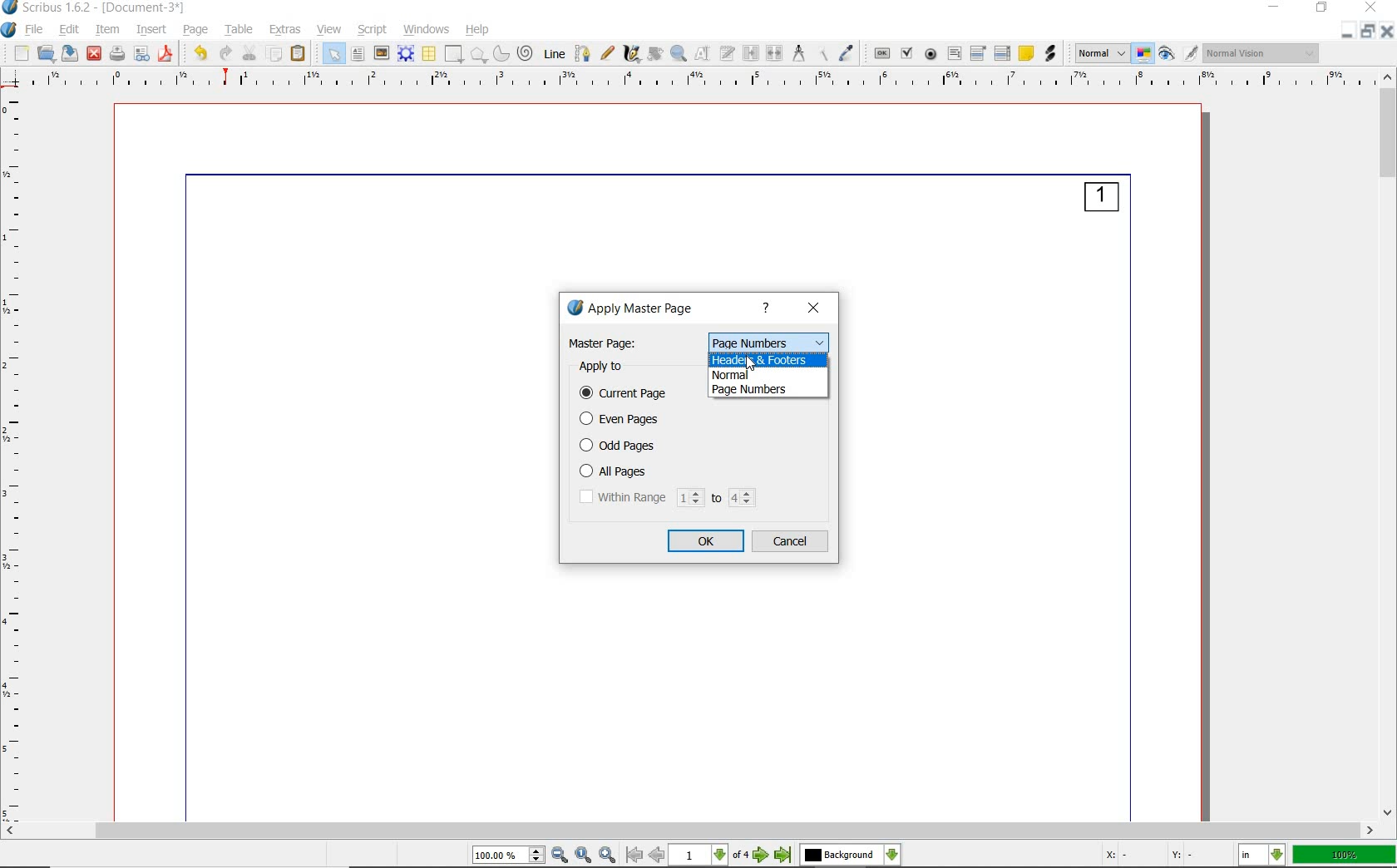 Image resolution: width=1397 pixels, height=868 pixels. Describe the element at coordinates (225, 54) in the screenshot. I see `redo` at that location.